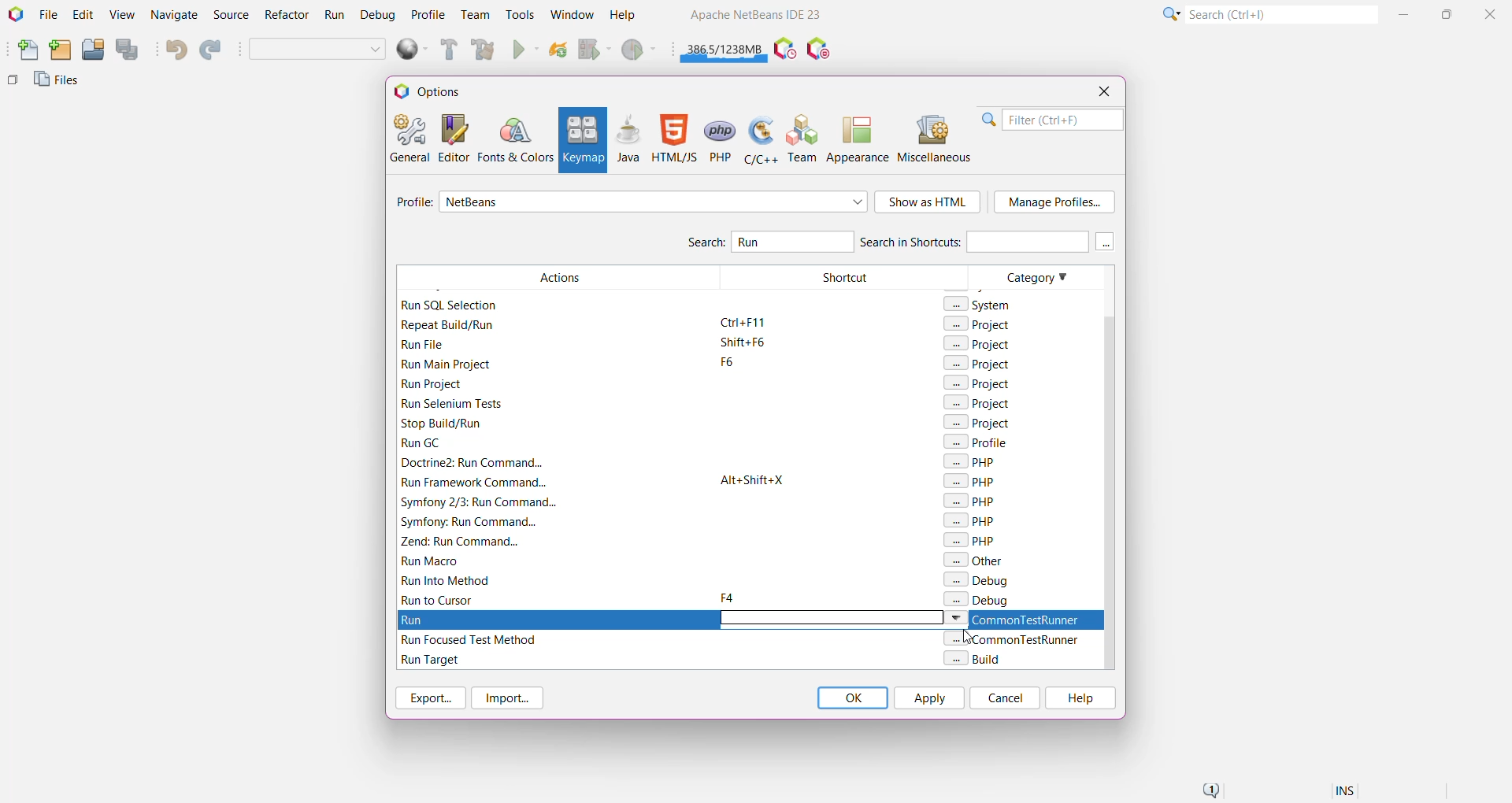 This screenshot has width=1512, height=803. I want to click on More keys, so click(1106, 242).